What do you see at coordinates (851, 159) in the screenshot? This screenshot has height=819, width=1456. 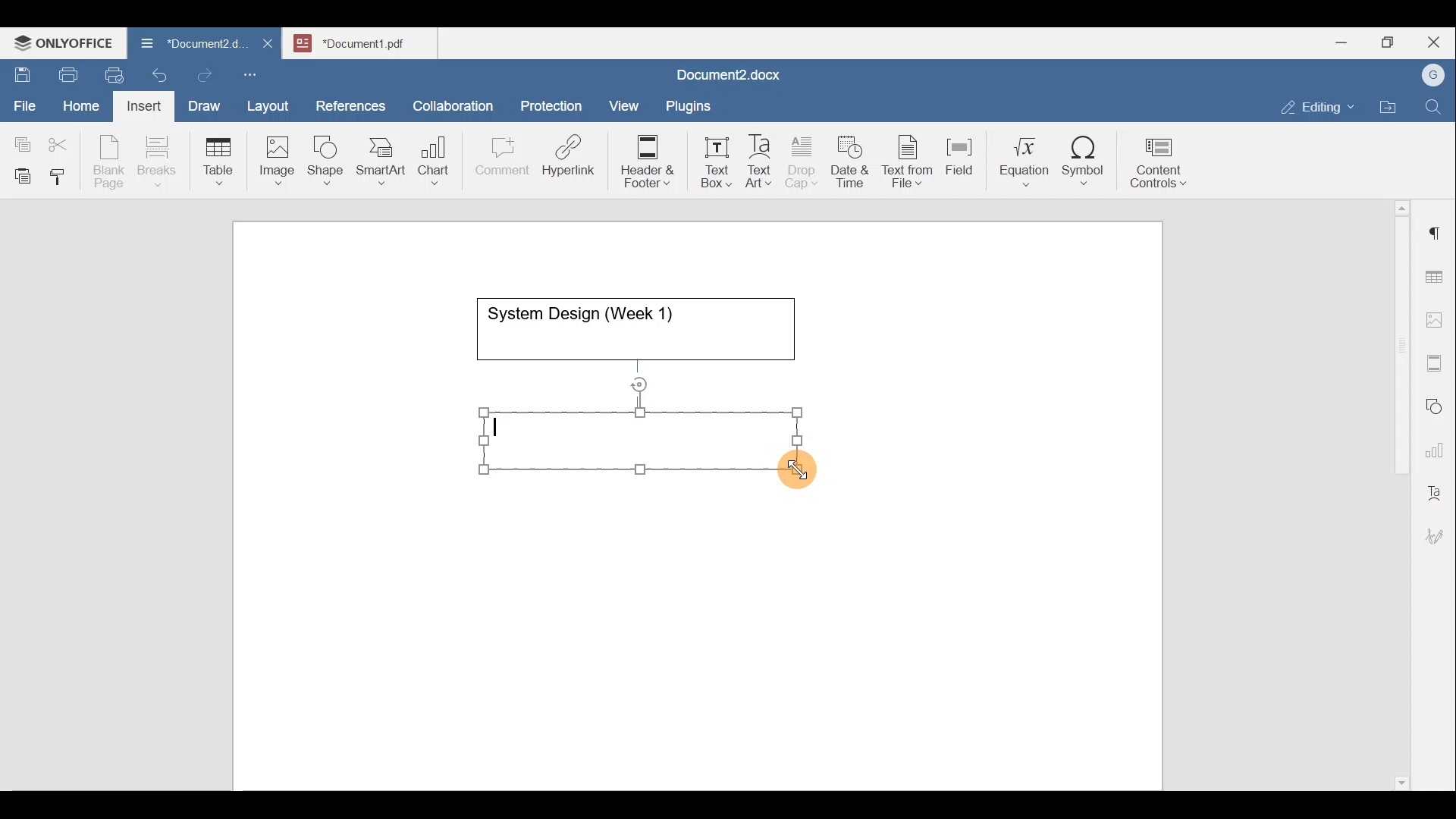 I see `Date & time` at bounding box center [851, 159].